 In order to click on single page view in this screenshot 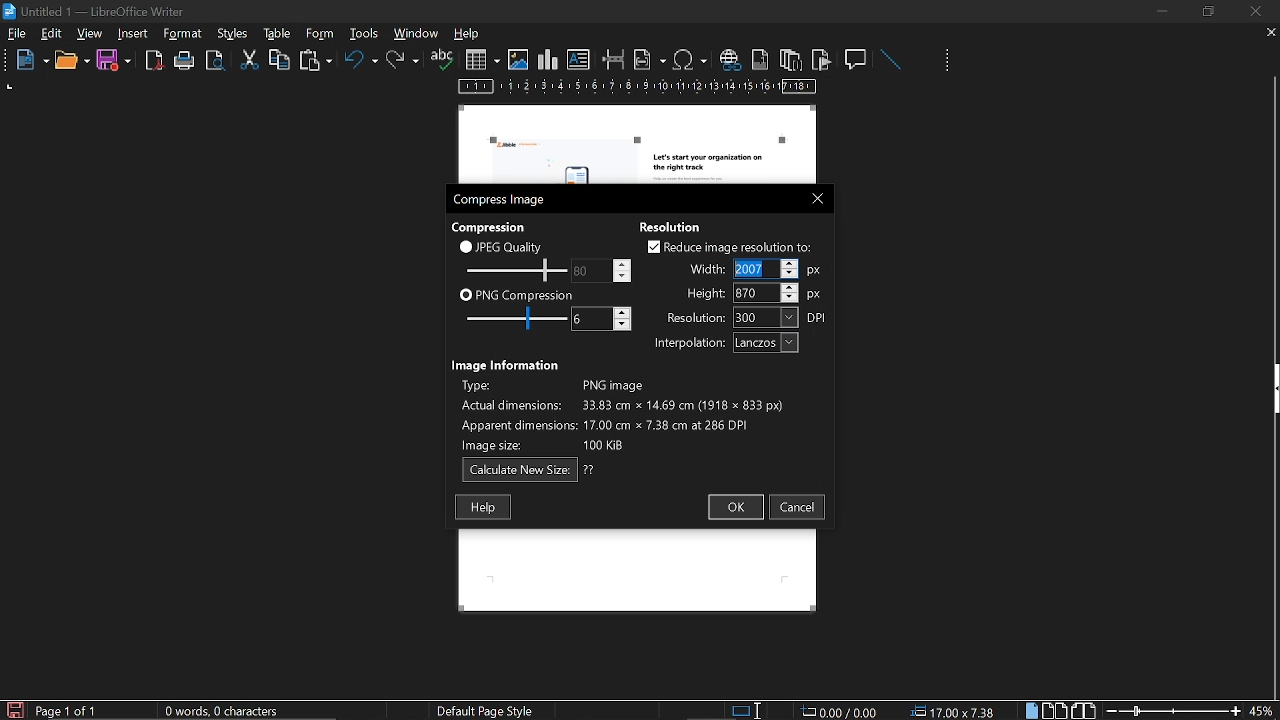, I will do `click(1034, 710)`.